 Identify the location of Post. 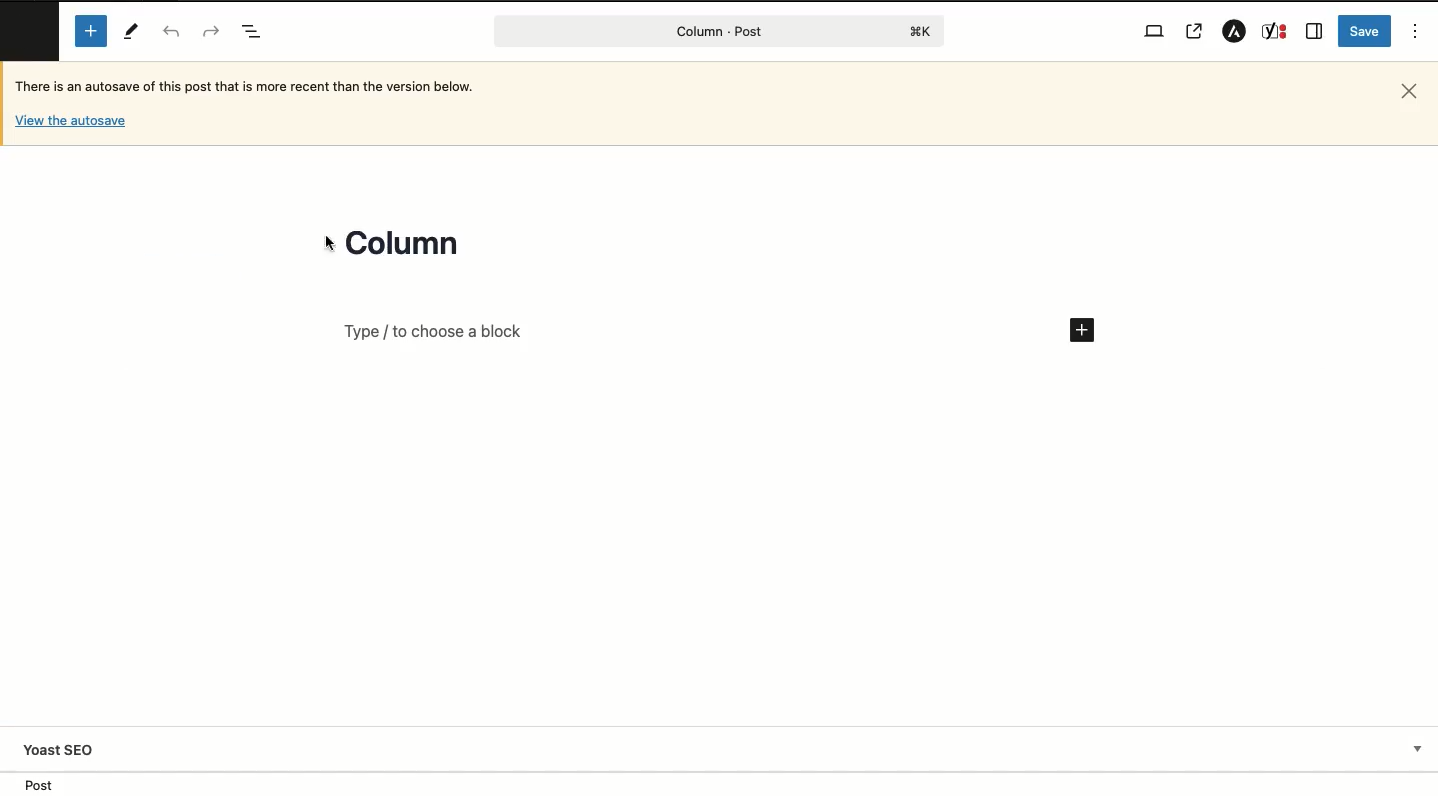
(720, 31).